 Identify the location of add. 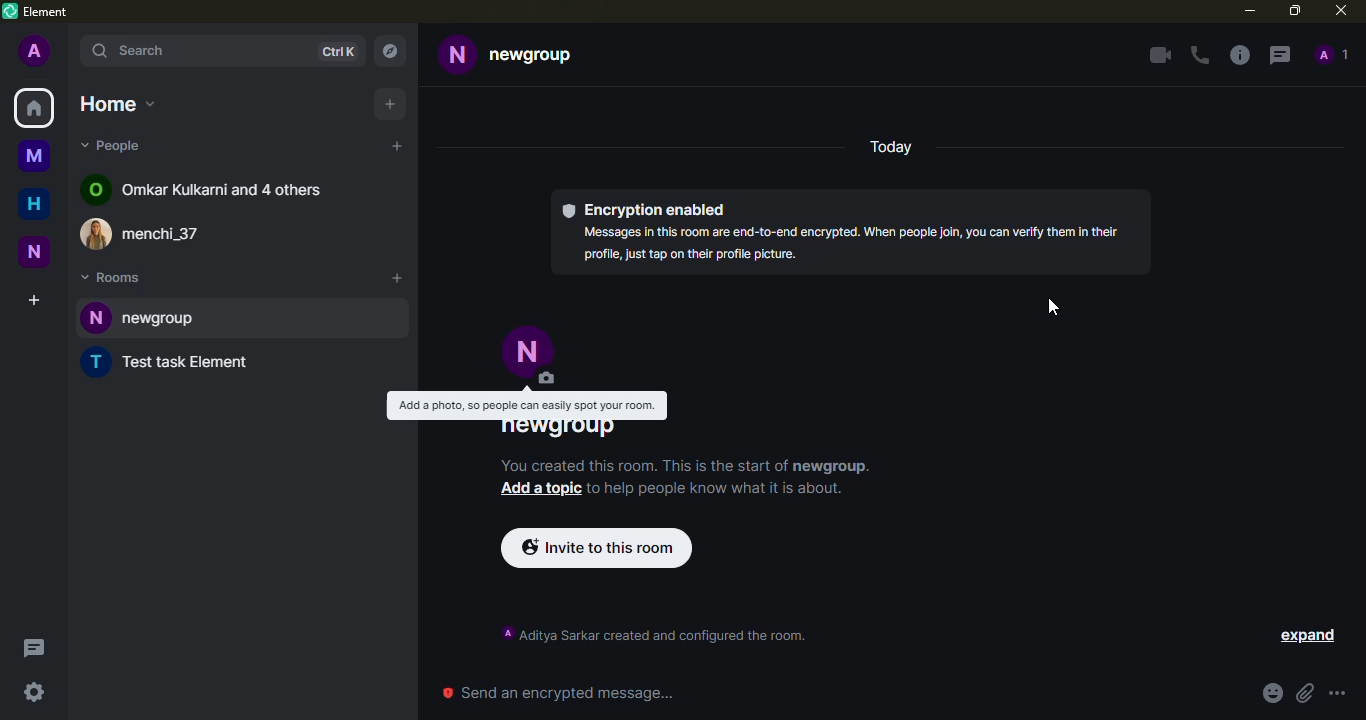
(390, 104).